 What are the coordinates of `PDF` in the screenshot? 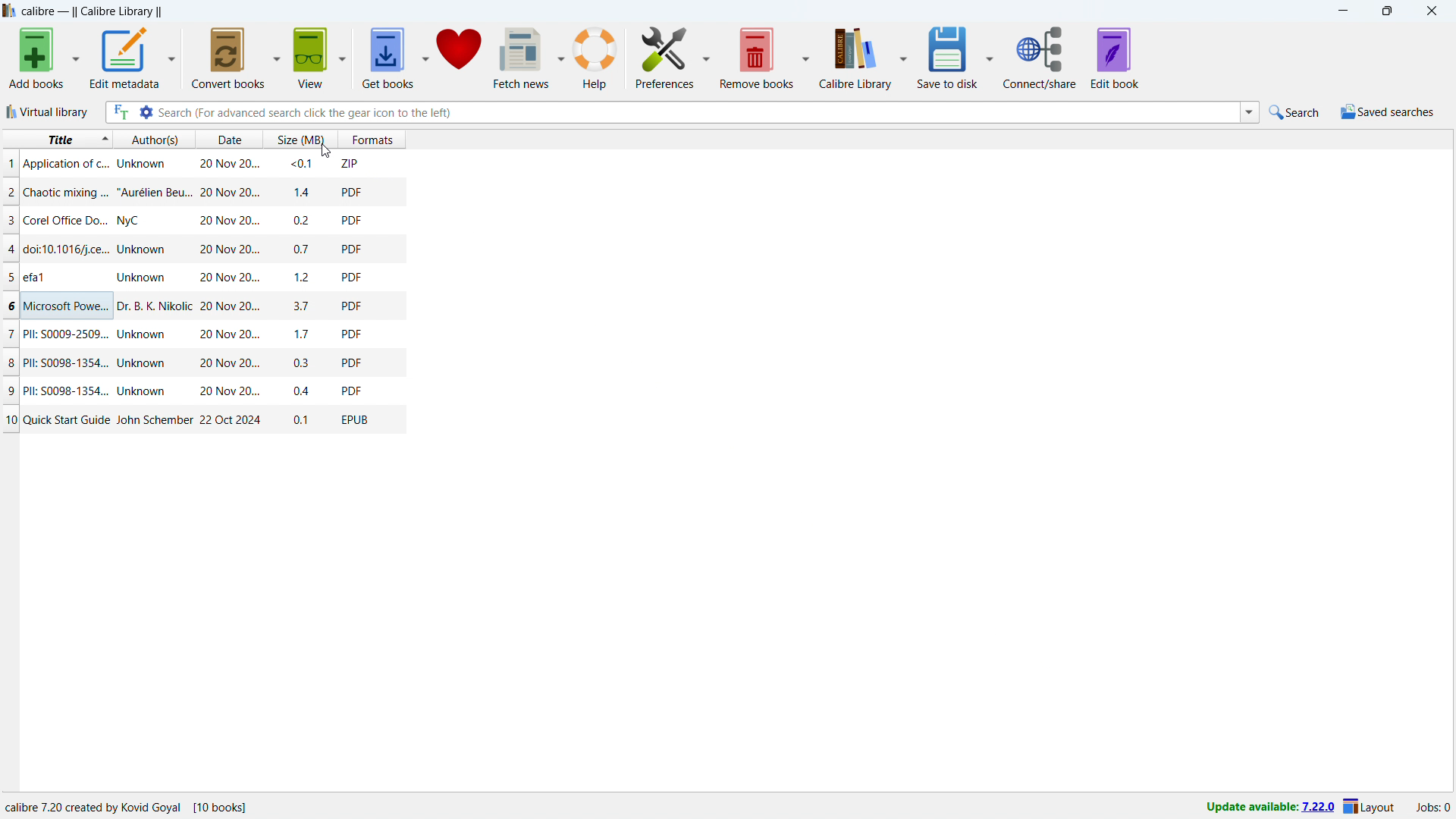 It's located at (353, 219).